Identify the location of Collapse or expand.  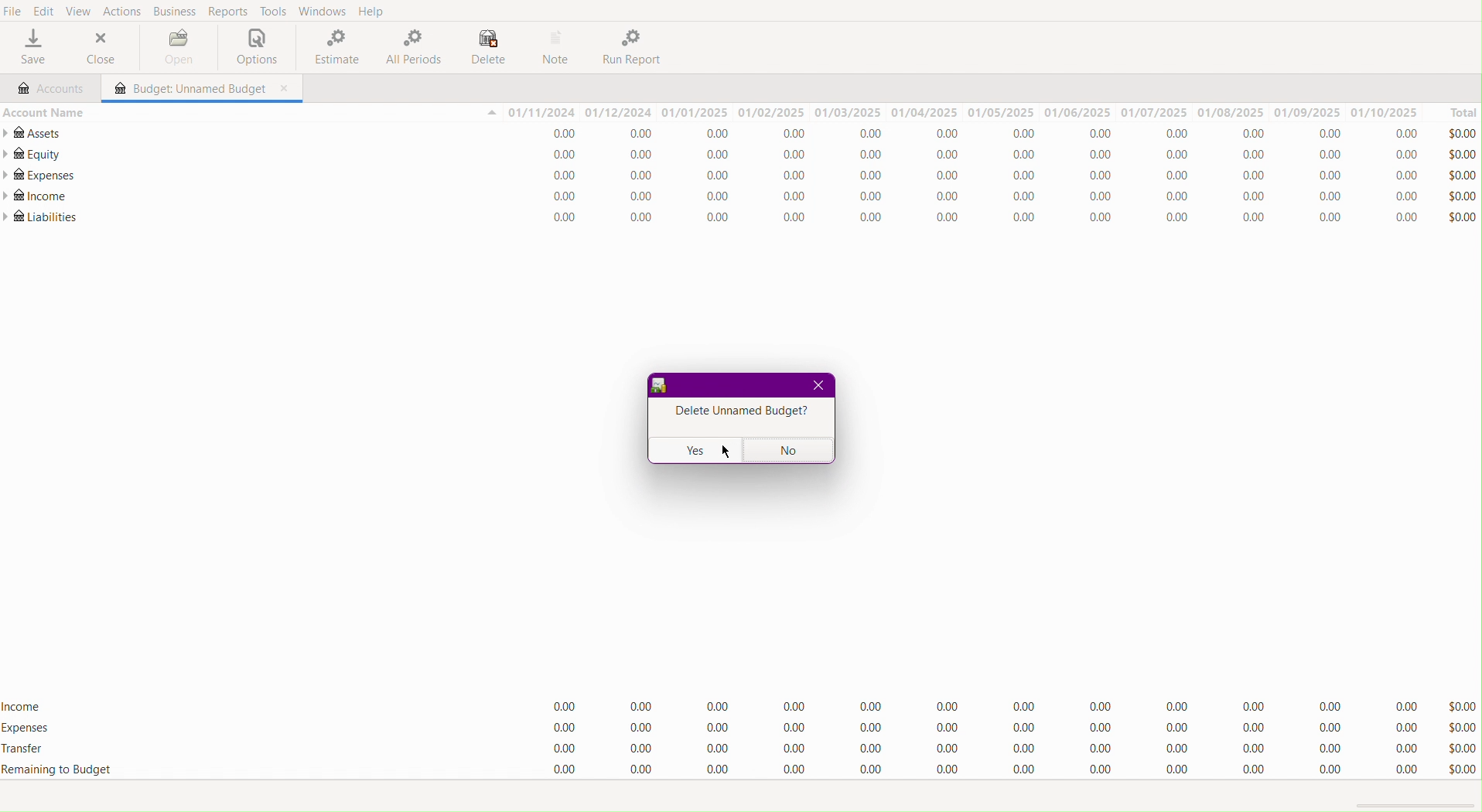
(490, 114).